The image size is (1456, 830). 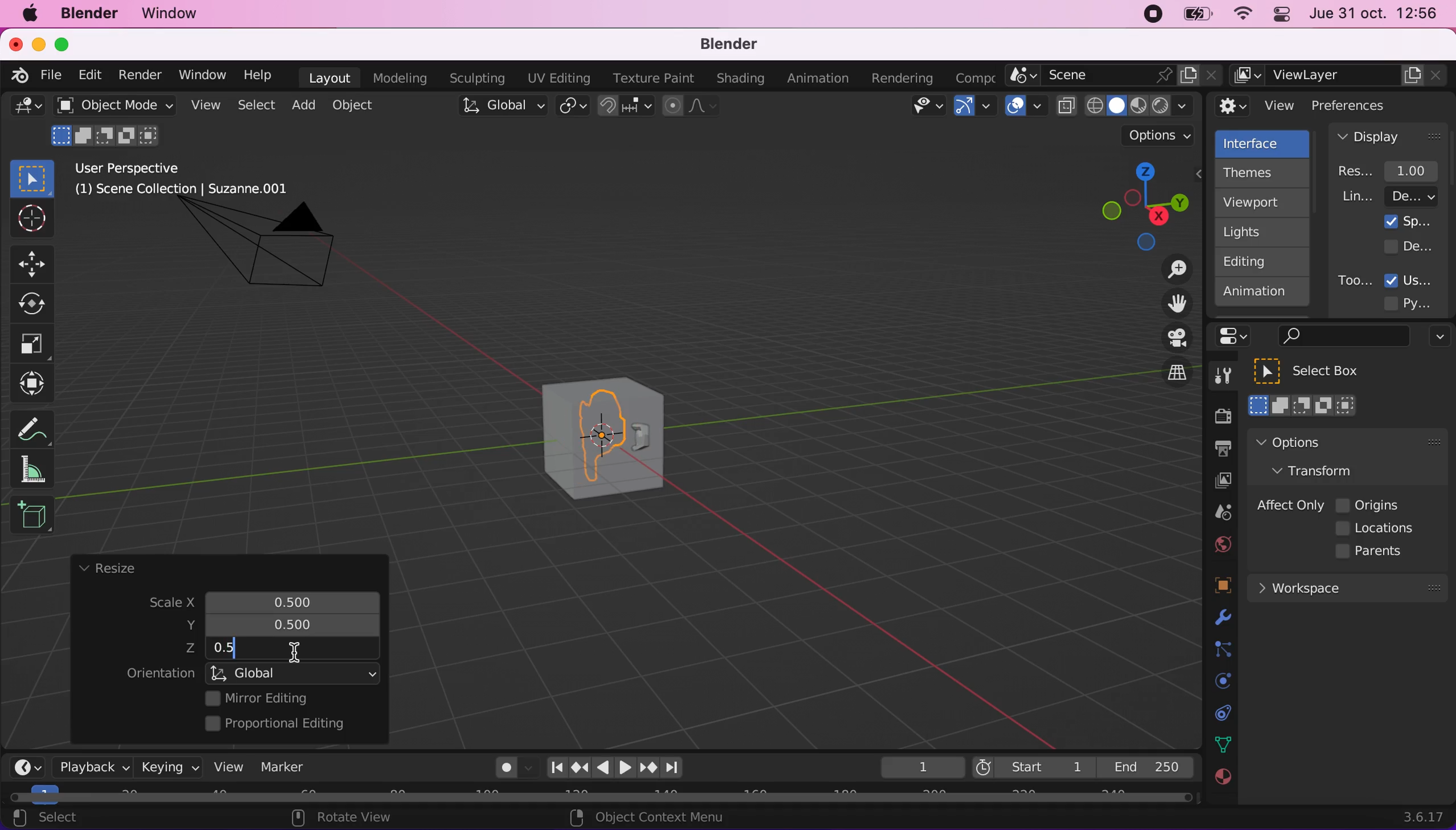 I want to click on object mode, so click(x=111, y=105).